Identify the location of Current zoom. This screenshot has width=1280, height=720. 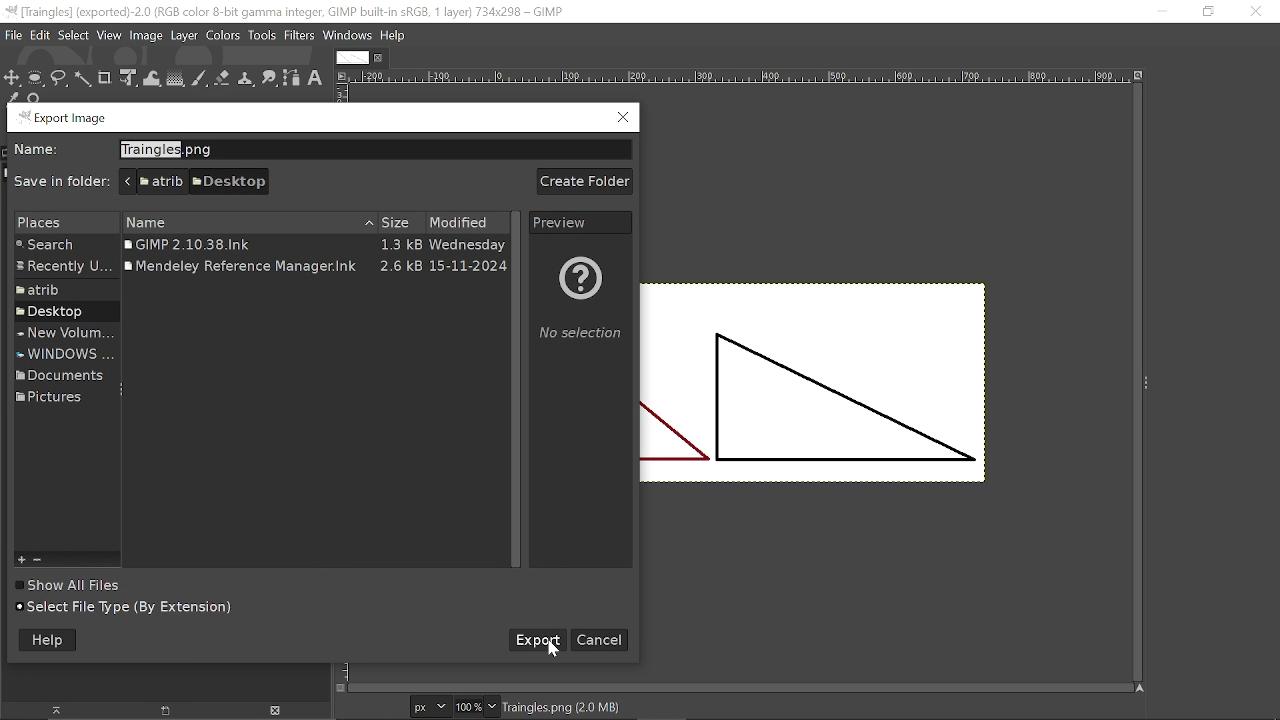
(468, 706).